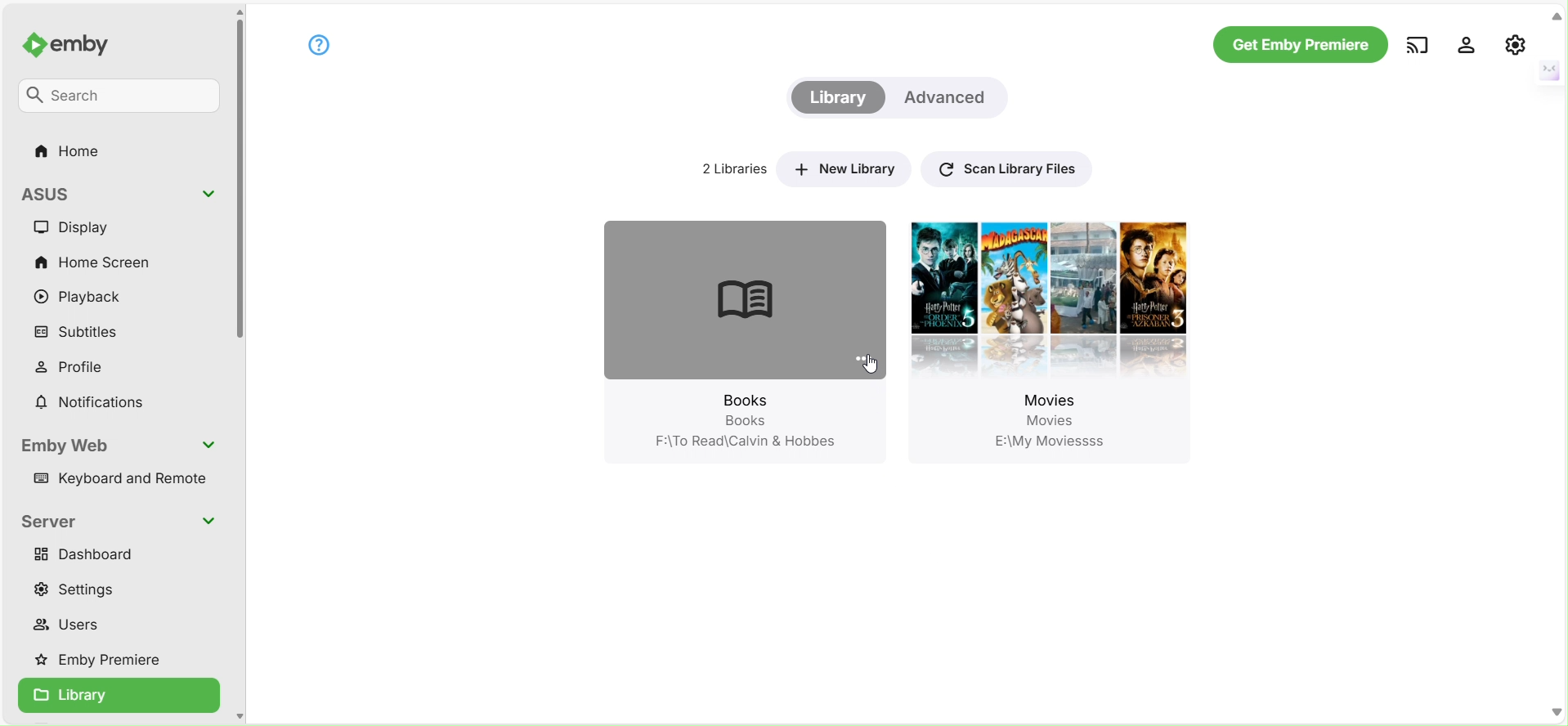 This screenshot has width=1568, height=726. I want to click on Collapse Section, so click(208, 520).